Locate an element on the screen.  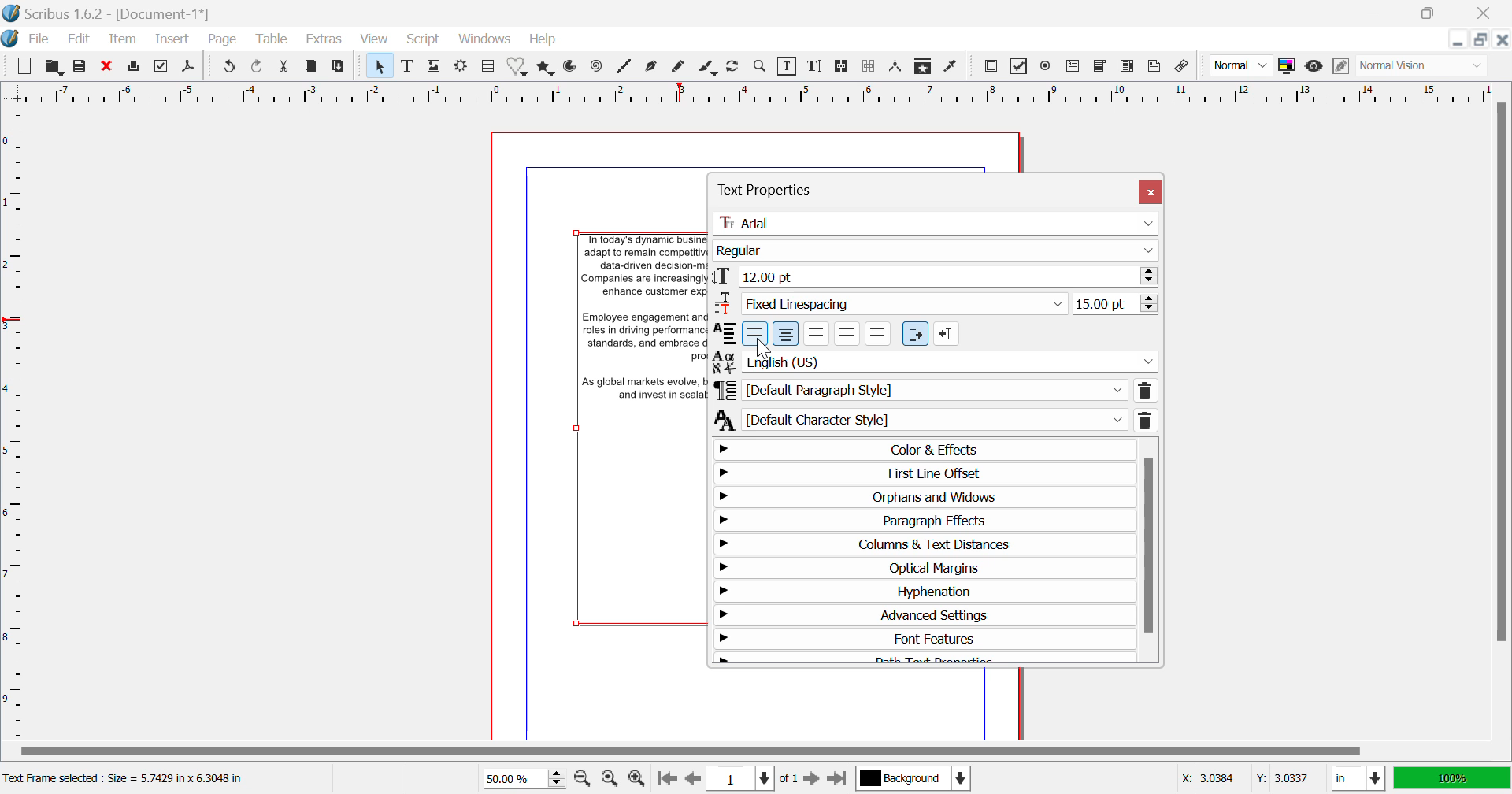
Spiral is located at coordinates (624, 66).